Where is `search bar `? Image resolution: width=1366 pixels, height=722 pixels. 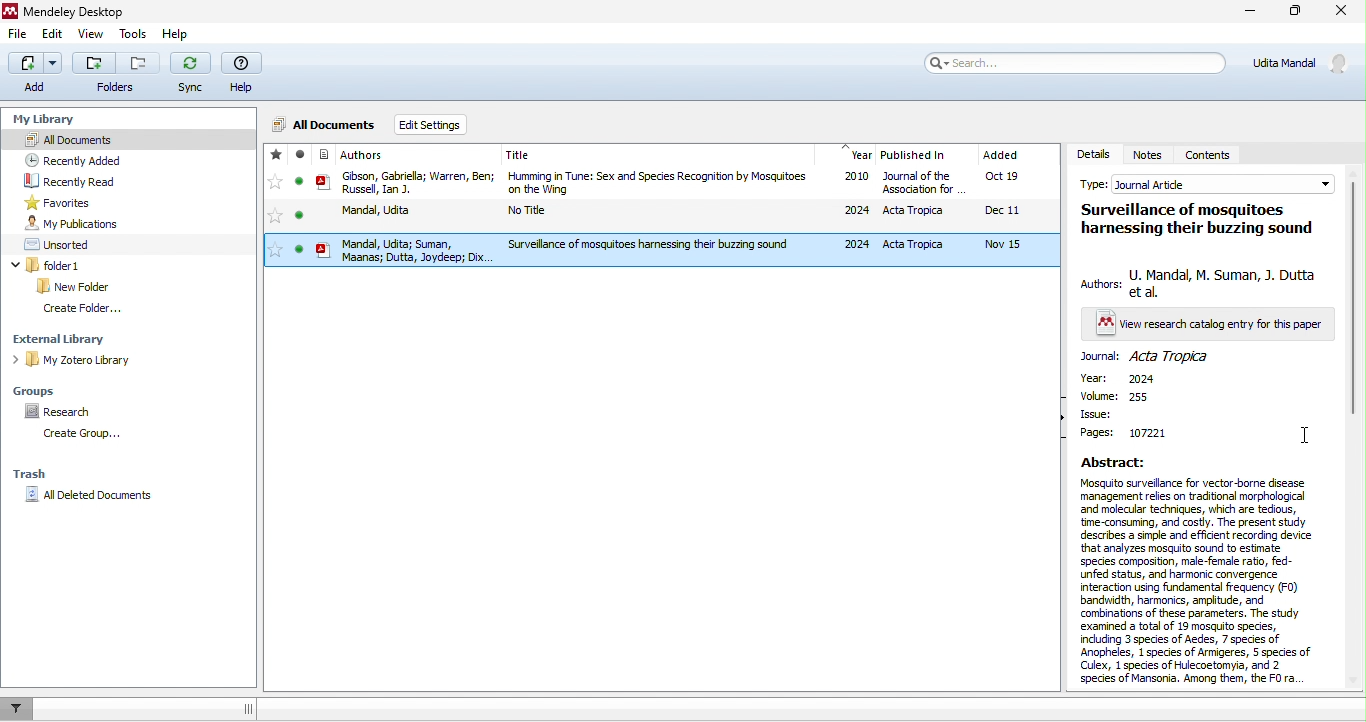
search bar  is located at coordinates (1074, 63).